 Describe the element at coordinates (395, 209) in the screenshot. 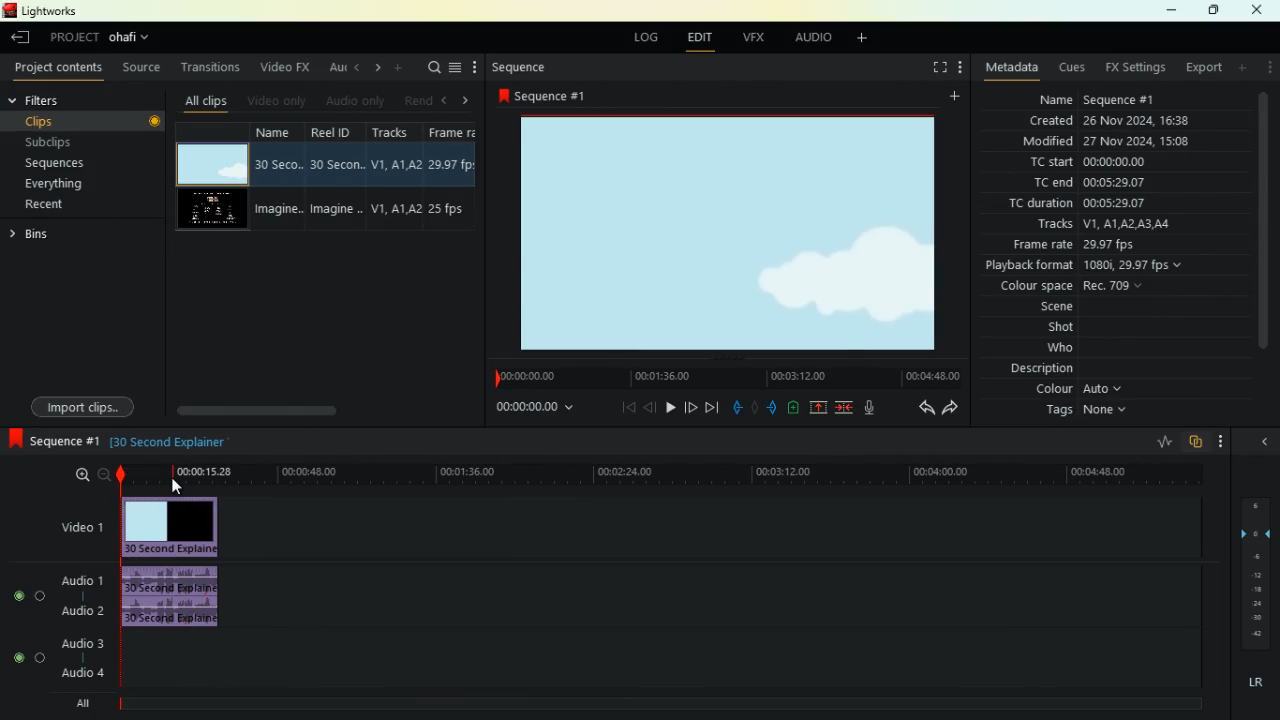

I see `V1,A1, A2` at that location.